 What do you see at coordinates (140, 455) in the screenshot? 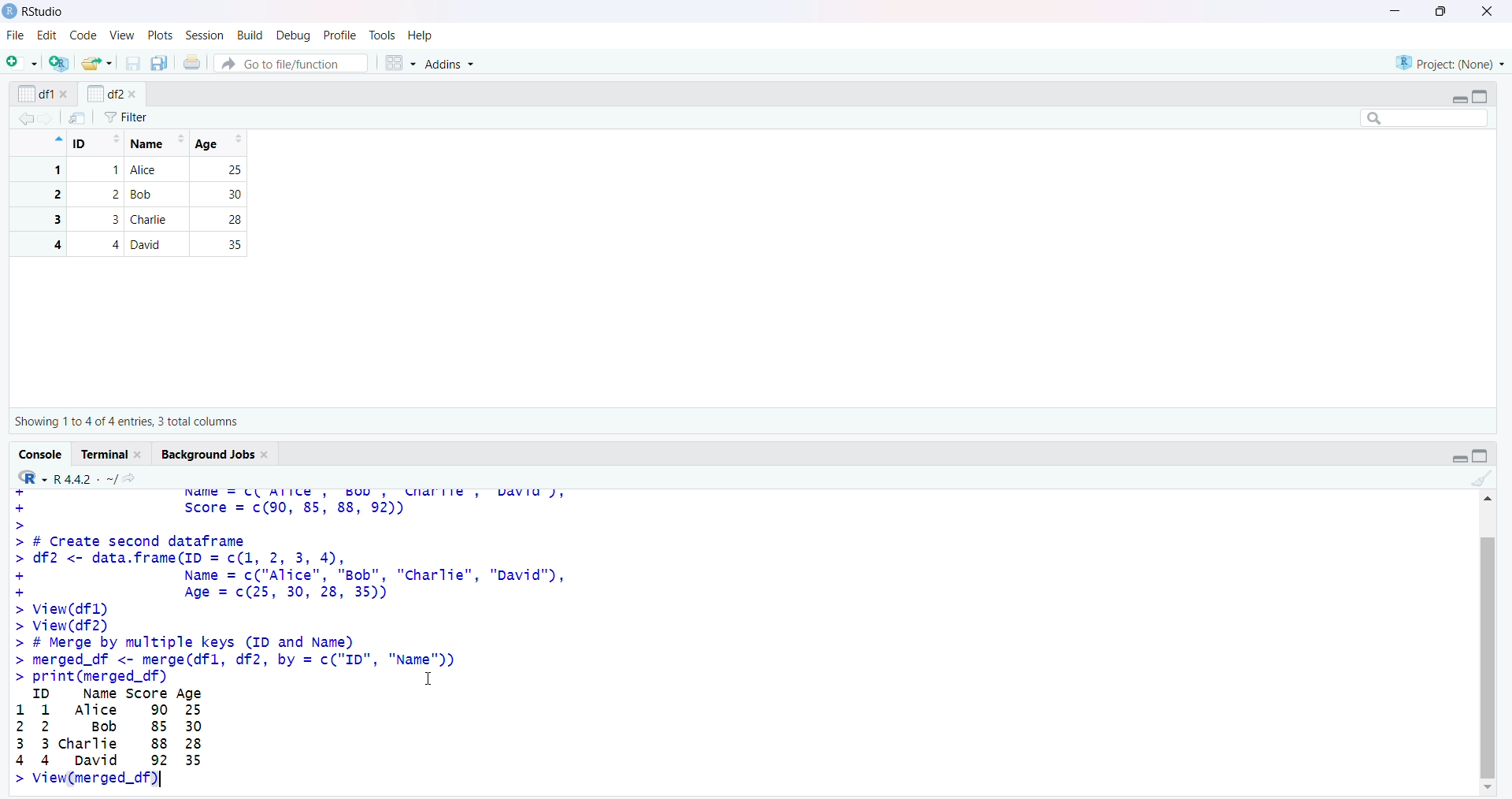
I see `close` at bounding box center [140, 455].